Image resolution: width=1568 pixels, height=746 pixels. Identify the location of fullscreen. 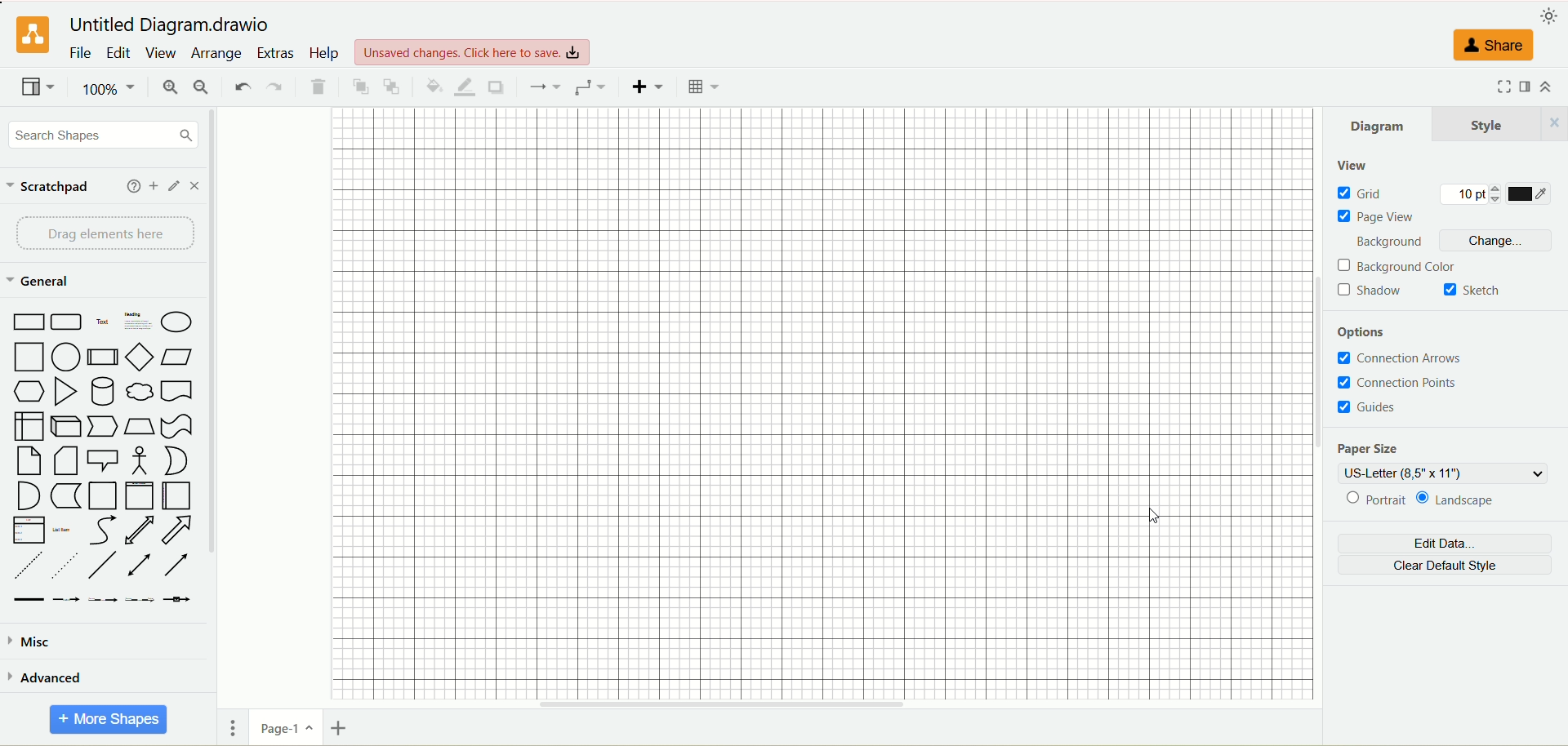
(1499, 87).